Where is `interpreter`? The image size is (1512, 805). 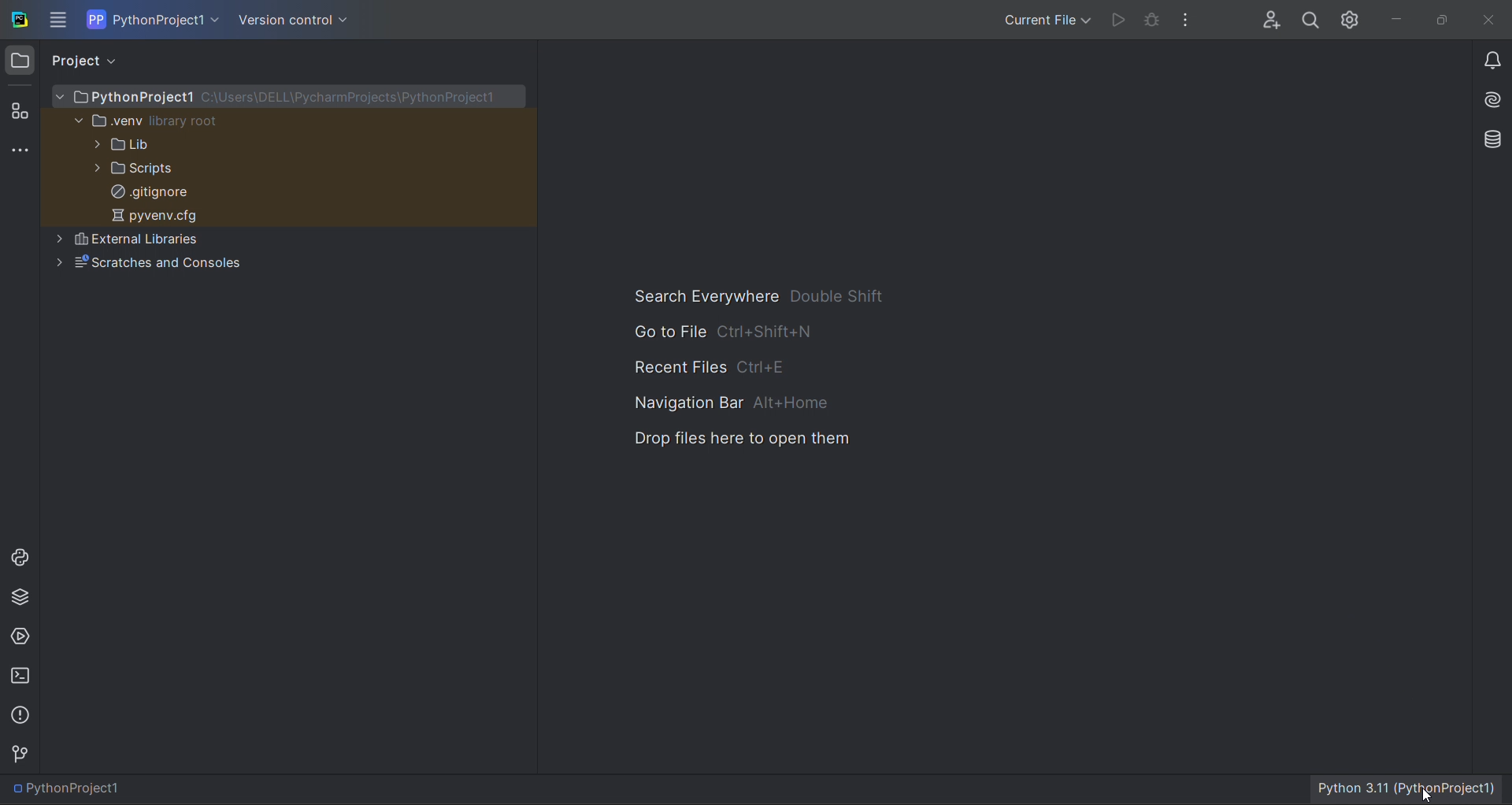 interpreter is located at coordinates (1408, 789).